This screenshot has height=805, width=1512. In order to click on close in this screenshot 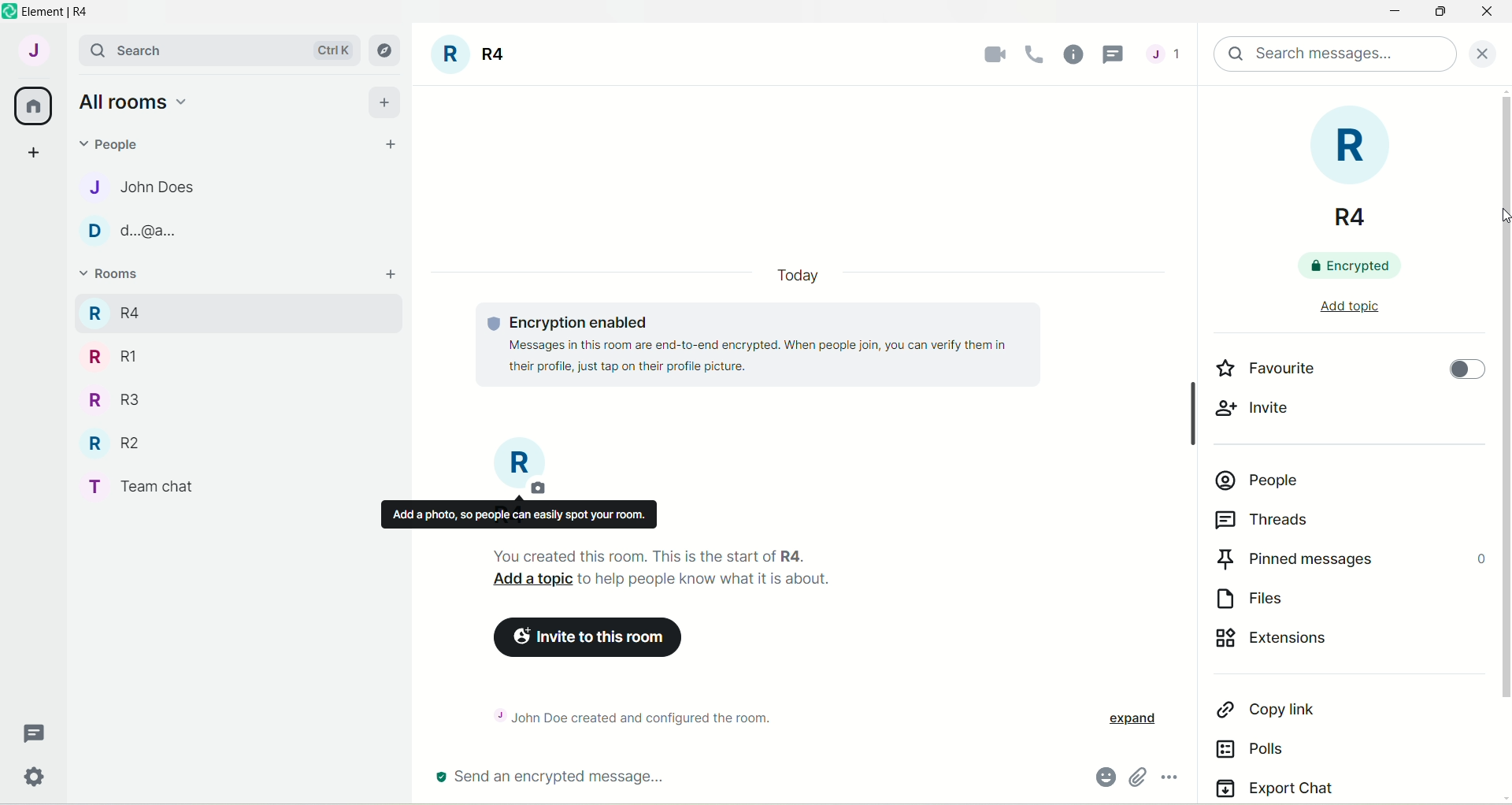, I will do `click(1488, 52)`.